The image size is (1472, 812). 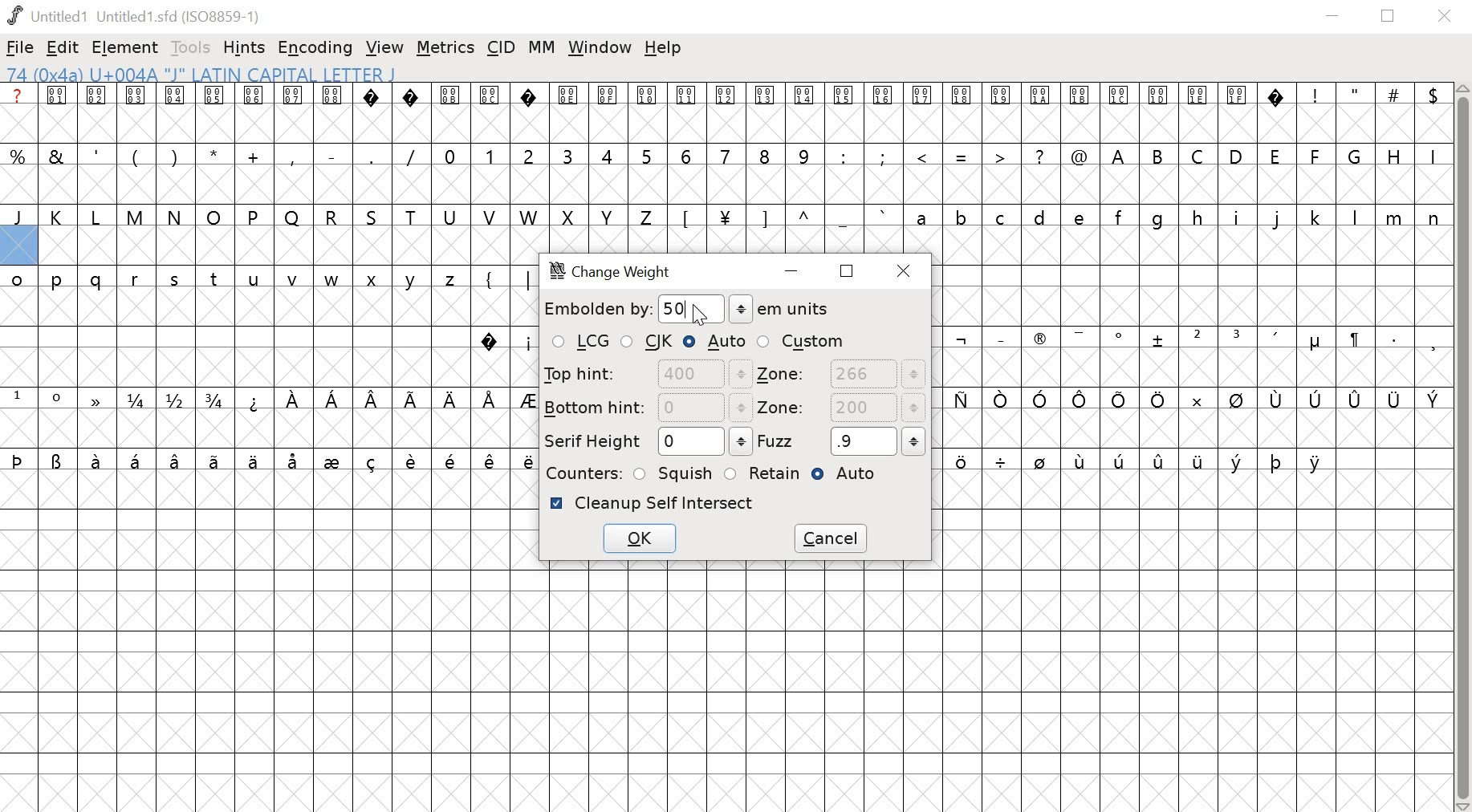 What do you see at coordinates (663, 48) in the screenshot?
I see `help` at bounding box center [663, 48].